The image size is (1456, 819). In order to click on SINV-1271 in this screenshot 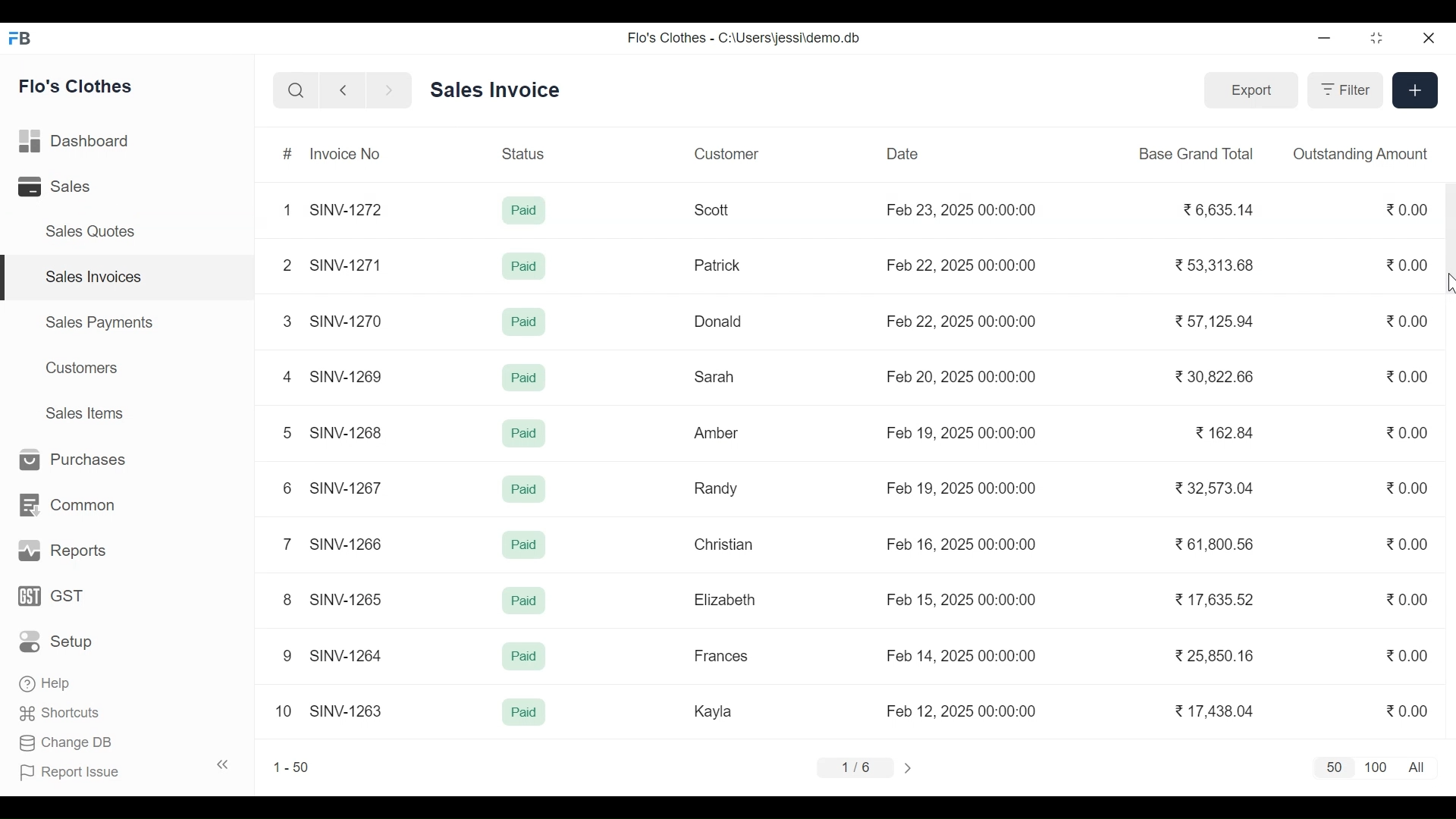, I will do `click(350, 265)`.